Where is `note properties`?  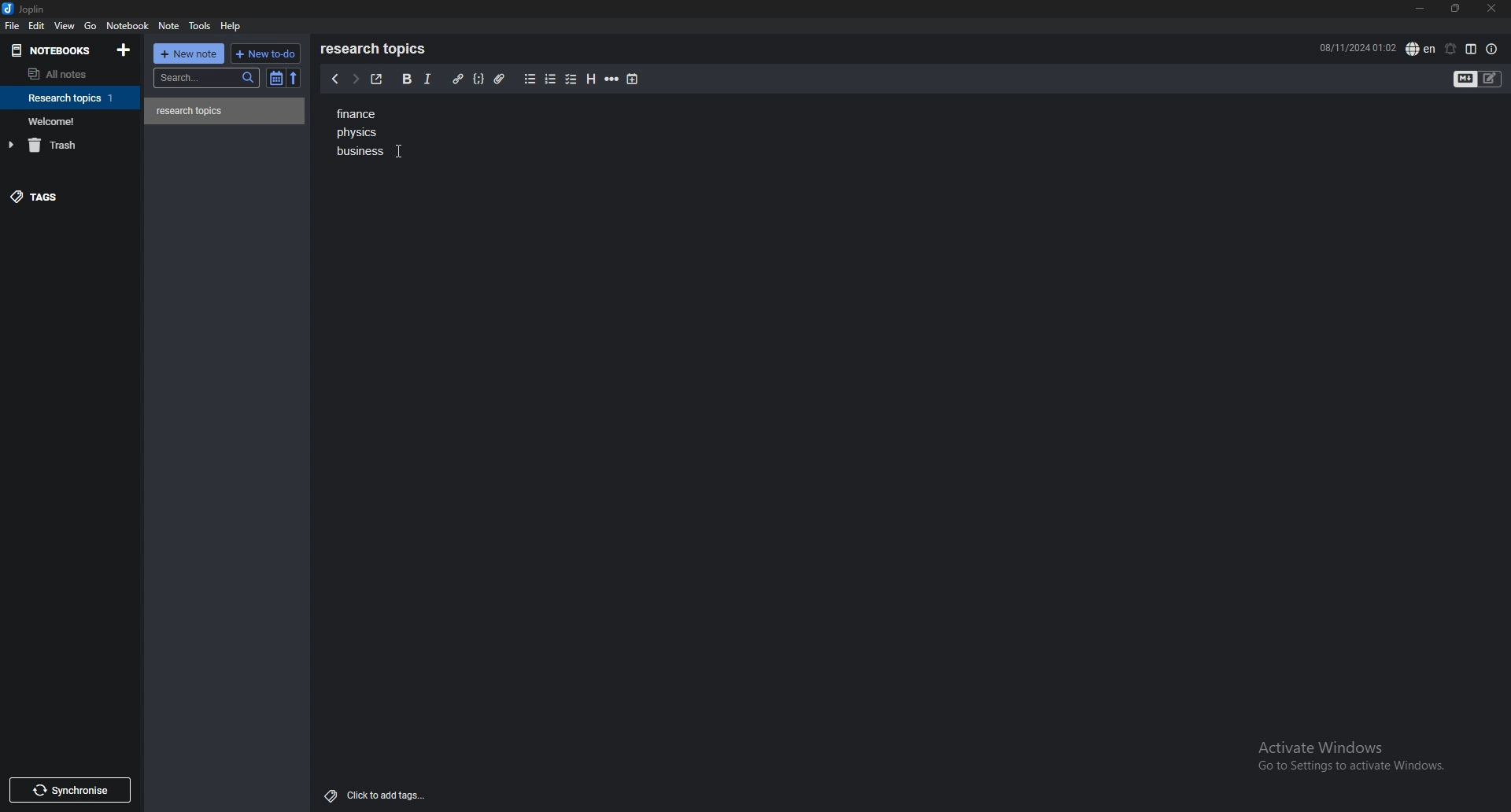
note properties is located at coordinates (1492, 49).